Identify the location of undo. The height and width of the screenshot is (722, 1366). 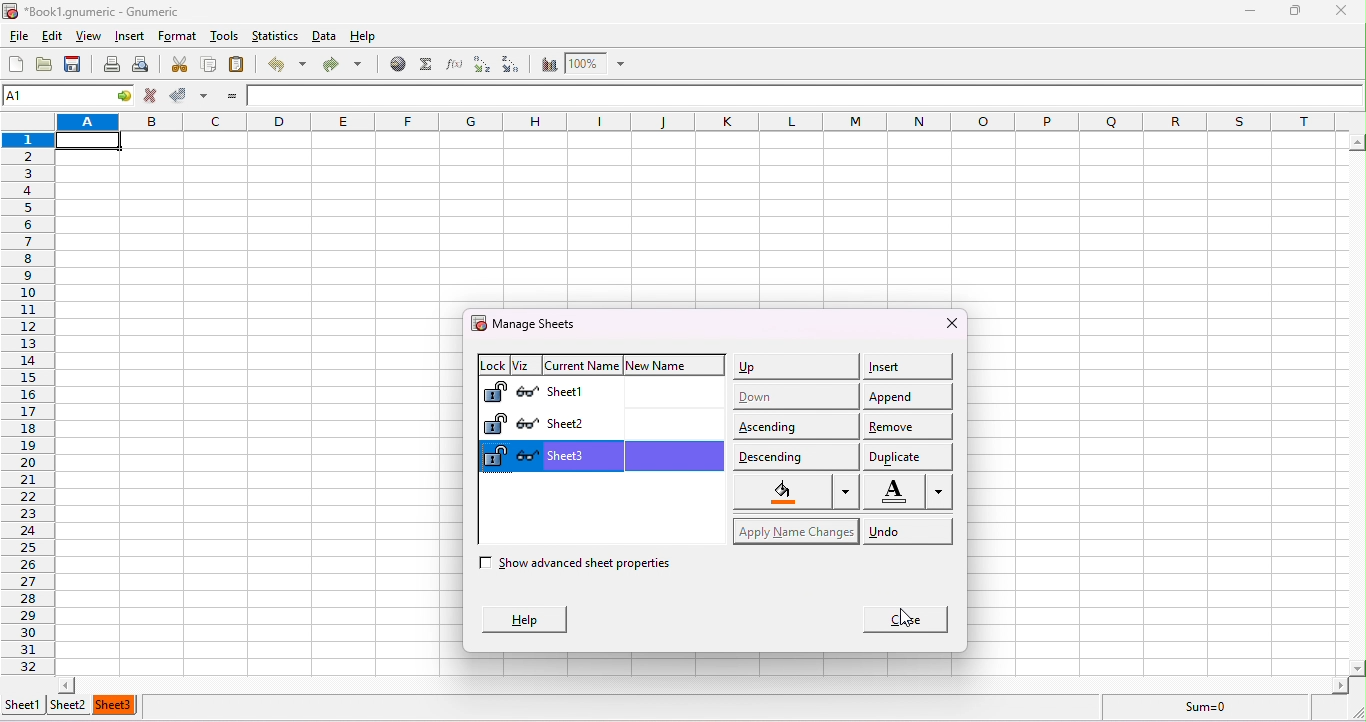
(906, 531).